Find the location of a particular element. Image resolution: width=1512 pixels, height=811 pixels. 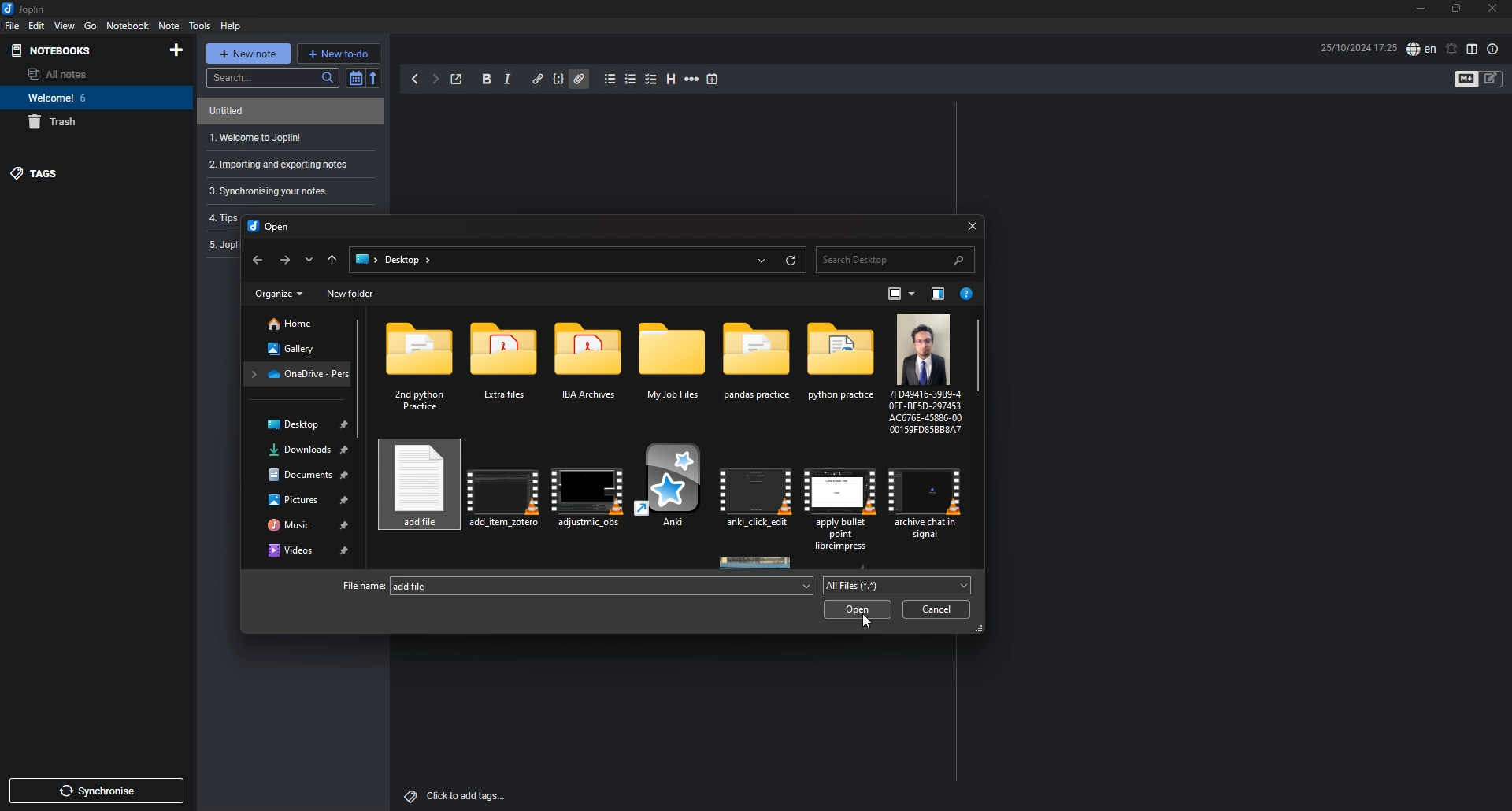

checkbox is located at coordinates (652, 80).